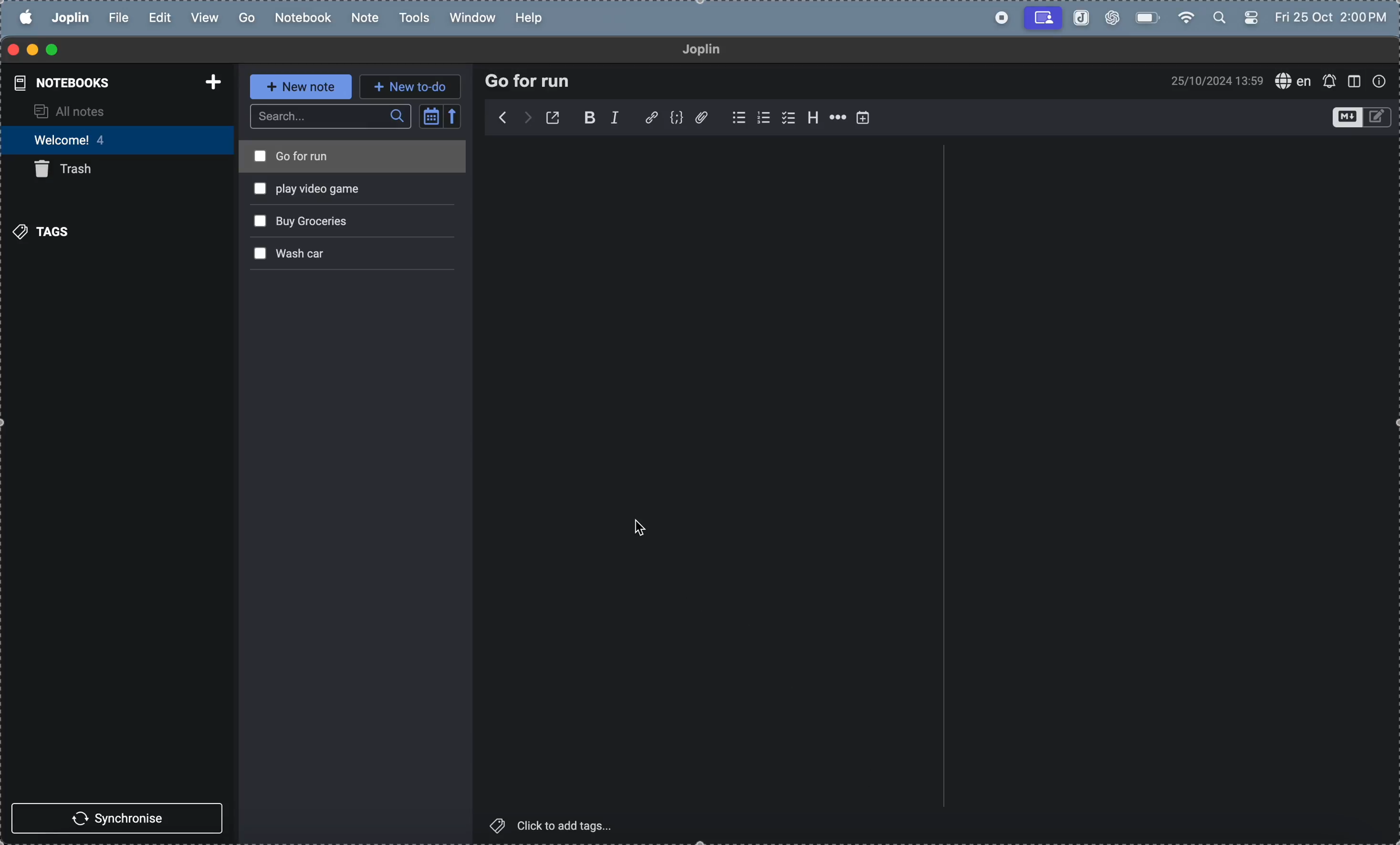 The image size is (1400, 845). What do you see at coordinates (502, 119) in the screenshot?
I see `back` at bounding box center [502, 119].